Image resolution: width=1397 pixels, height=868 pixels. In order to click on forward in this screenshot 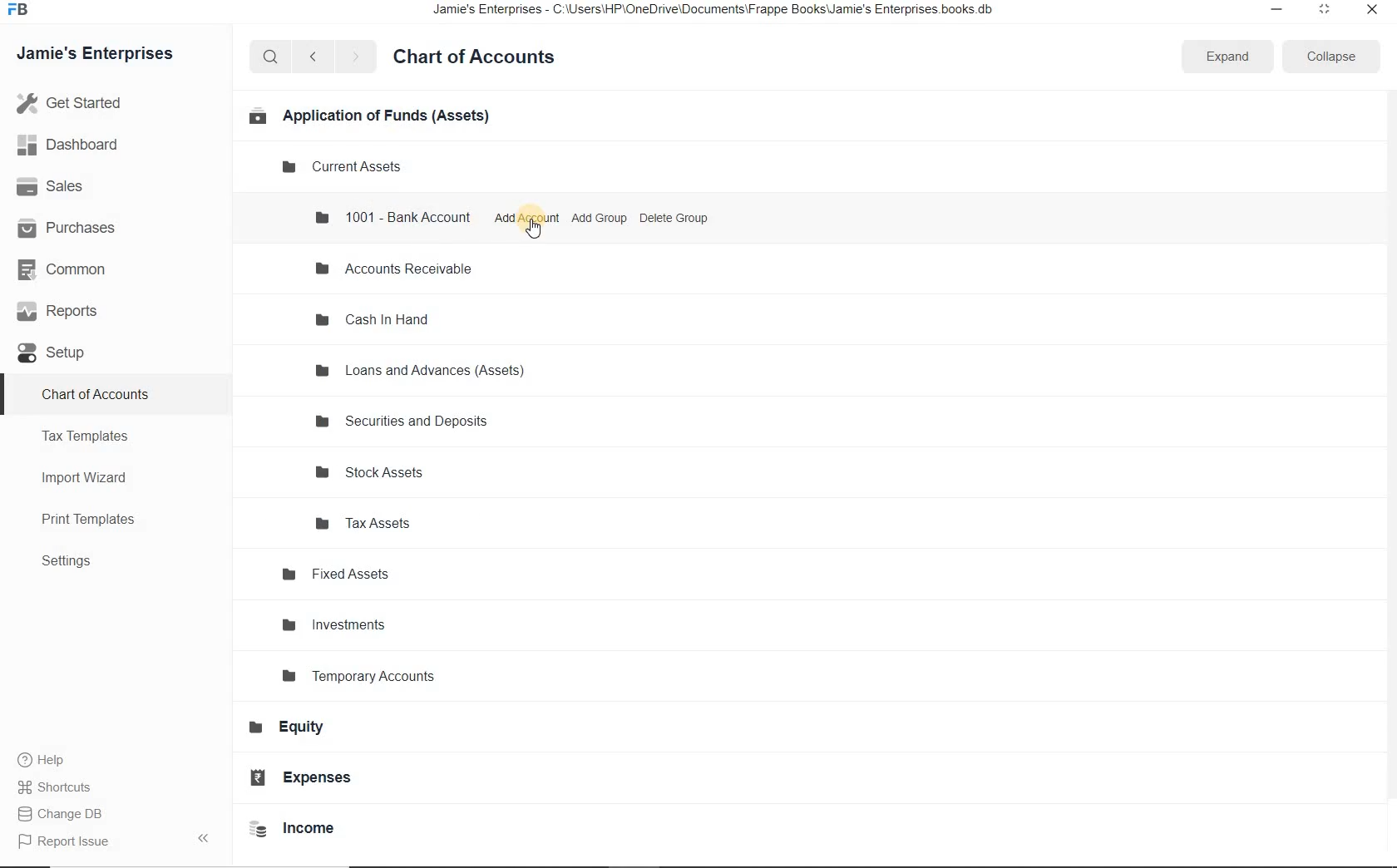, I will do `click(357, 57)`.